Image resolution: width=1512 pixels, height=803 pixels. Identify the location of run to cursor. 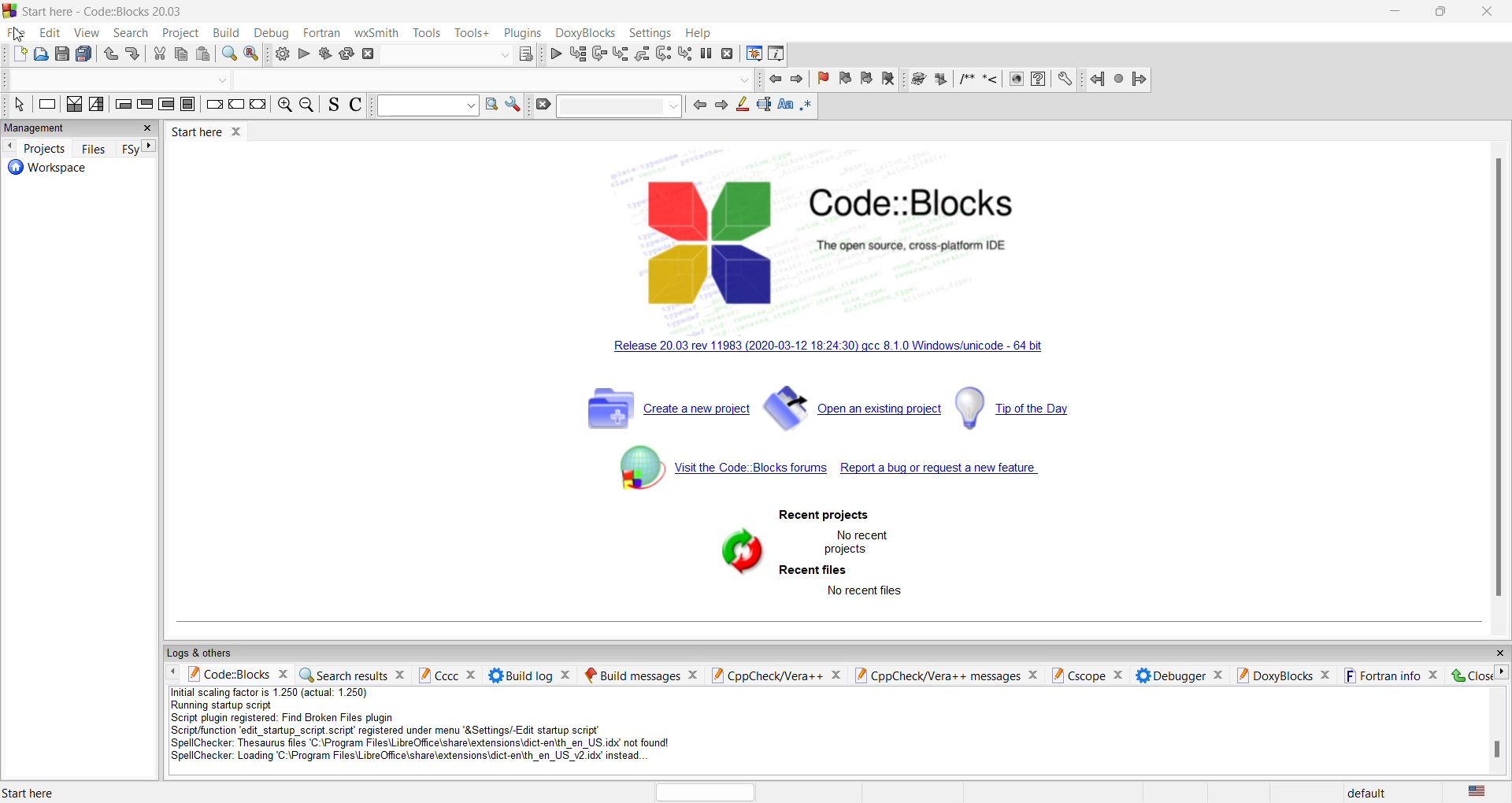
(577, 54).